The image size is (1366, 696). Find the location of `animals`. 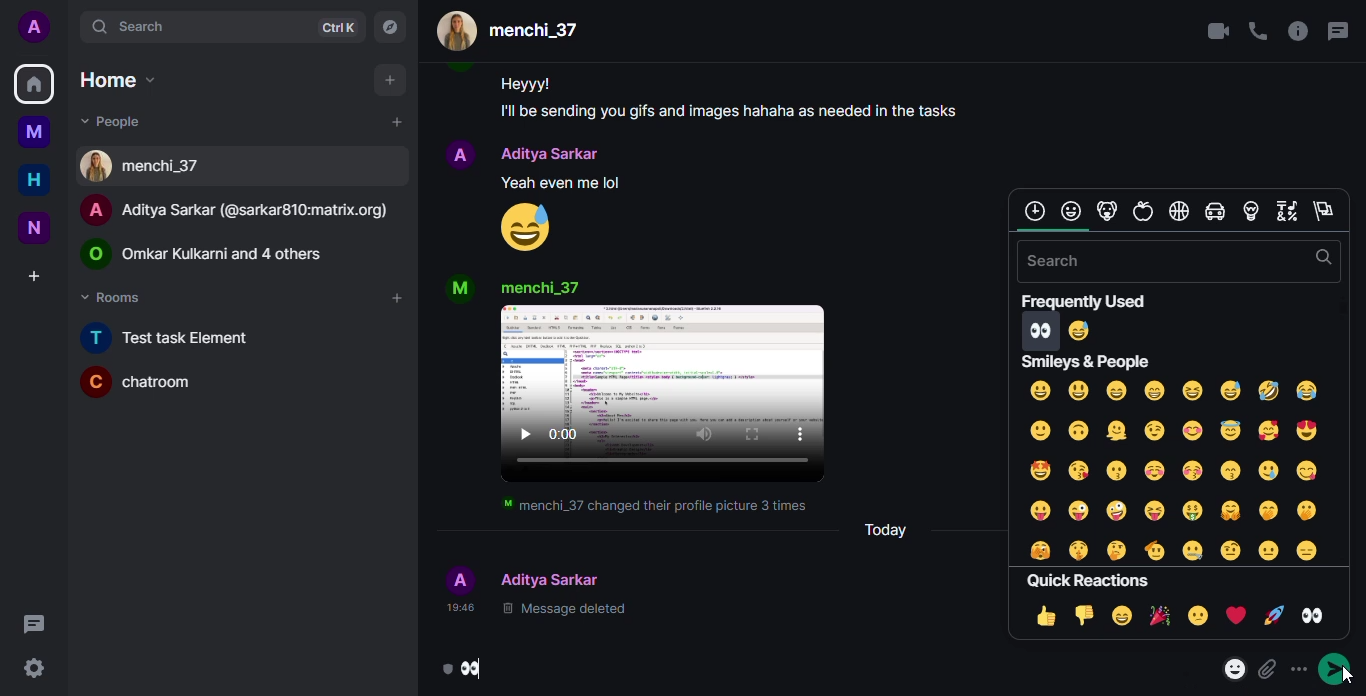

animals is located at coordinates (1106, 211).